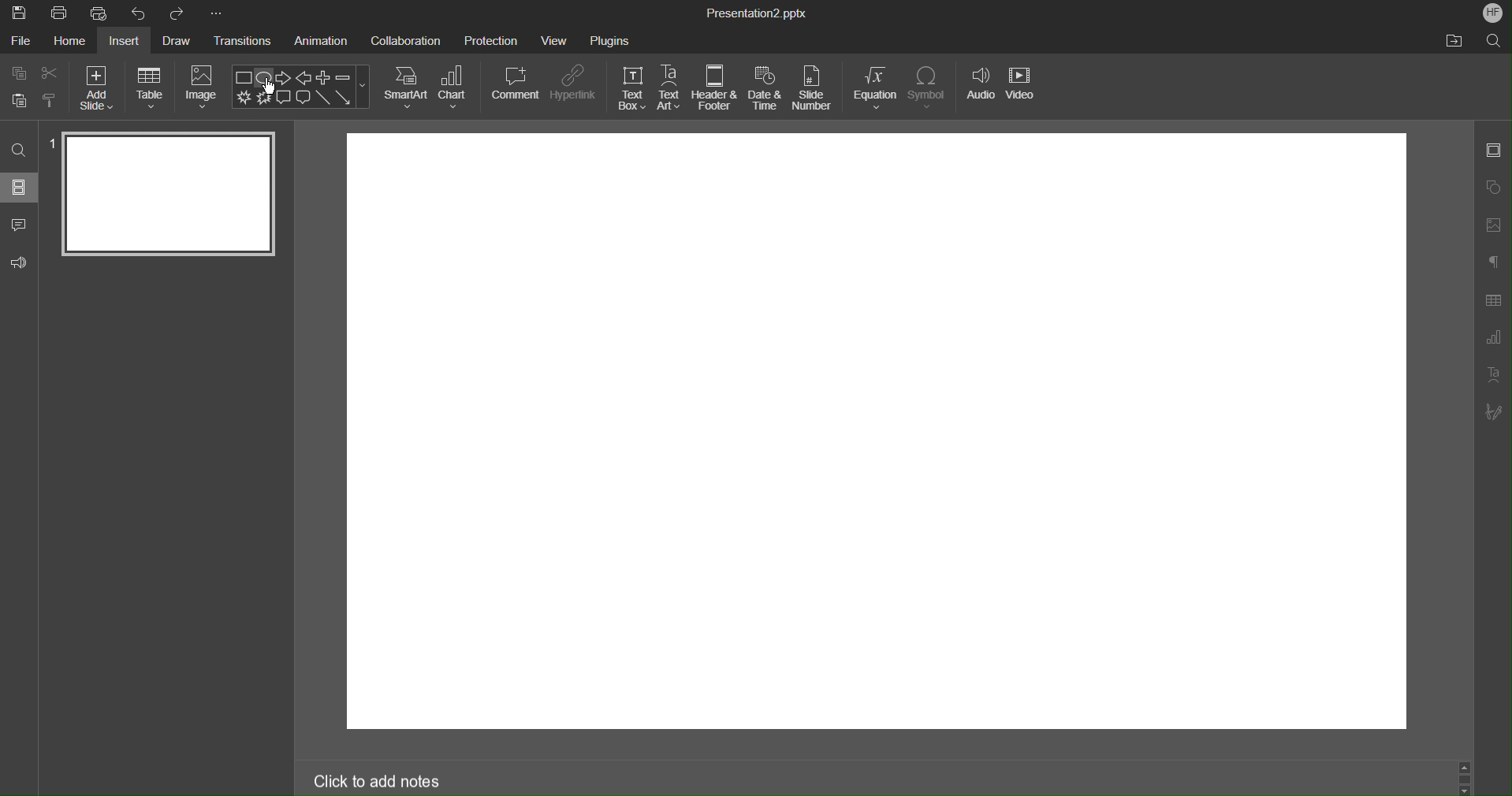 This screenshot has height=796, width=1512. Describe the element at coordinates (455, 87) in the screenshot. I see `Chart` at that location.